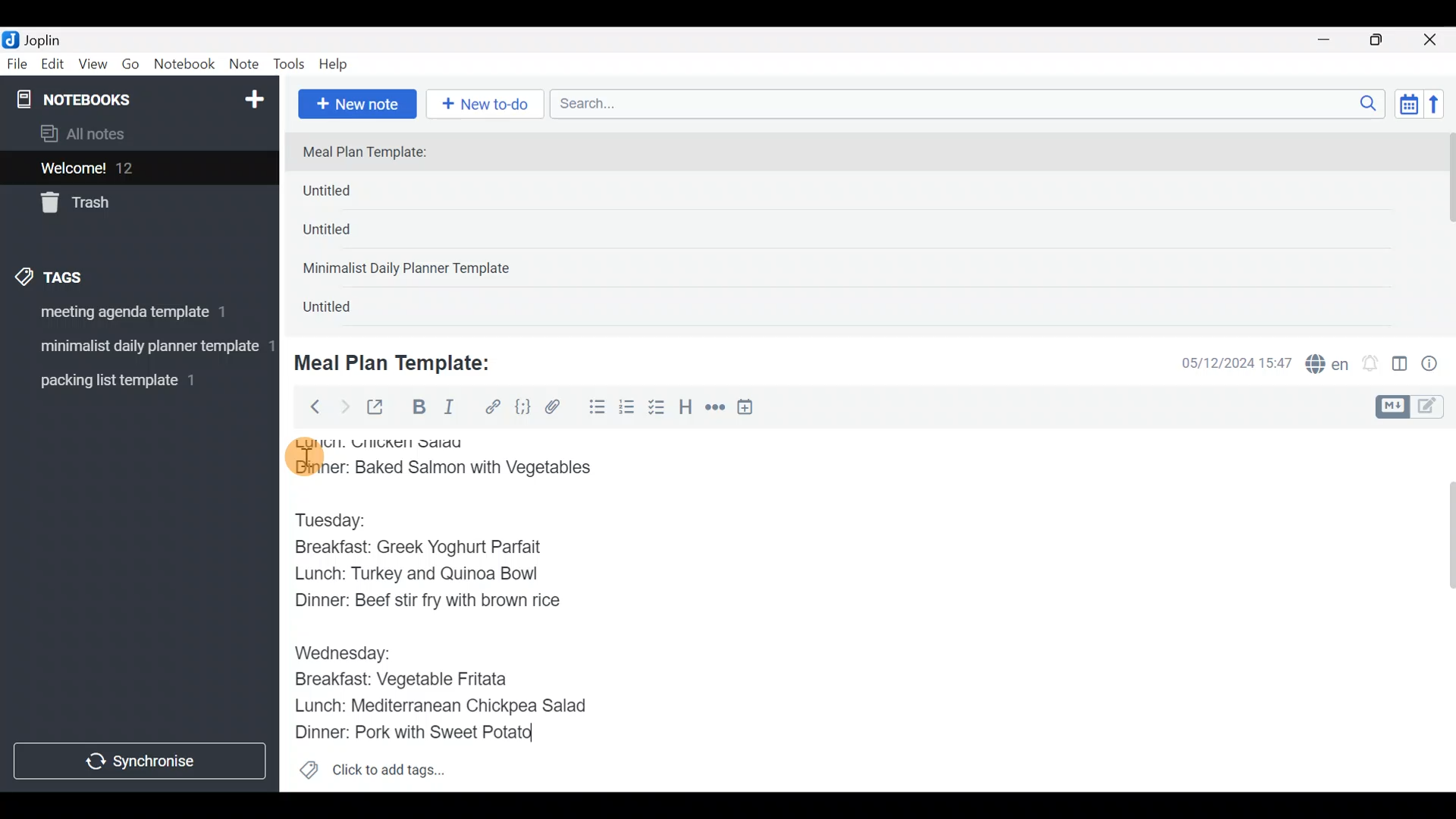 The height and width of the screenshot is (819, 1456). Describe the element at coordinates (303, 457) in the screenshot. I see `cursor` at that location.